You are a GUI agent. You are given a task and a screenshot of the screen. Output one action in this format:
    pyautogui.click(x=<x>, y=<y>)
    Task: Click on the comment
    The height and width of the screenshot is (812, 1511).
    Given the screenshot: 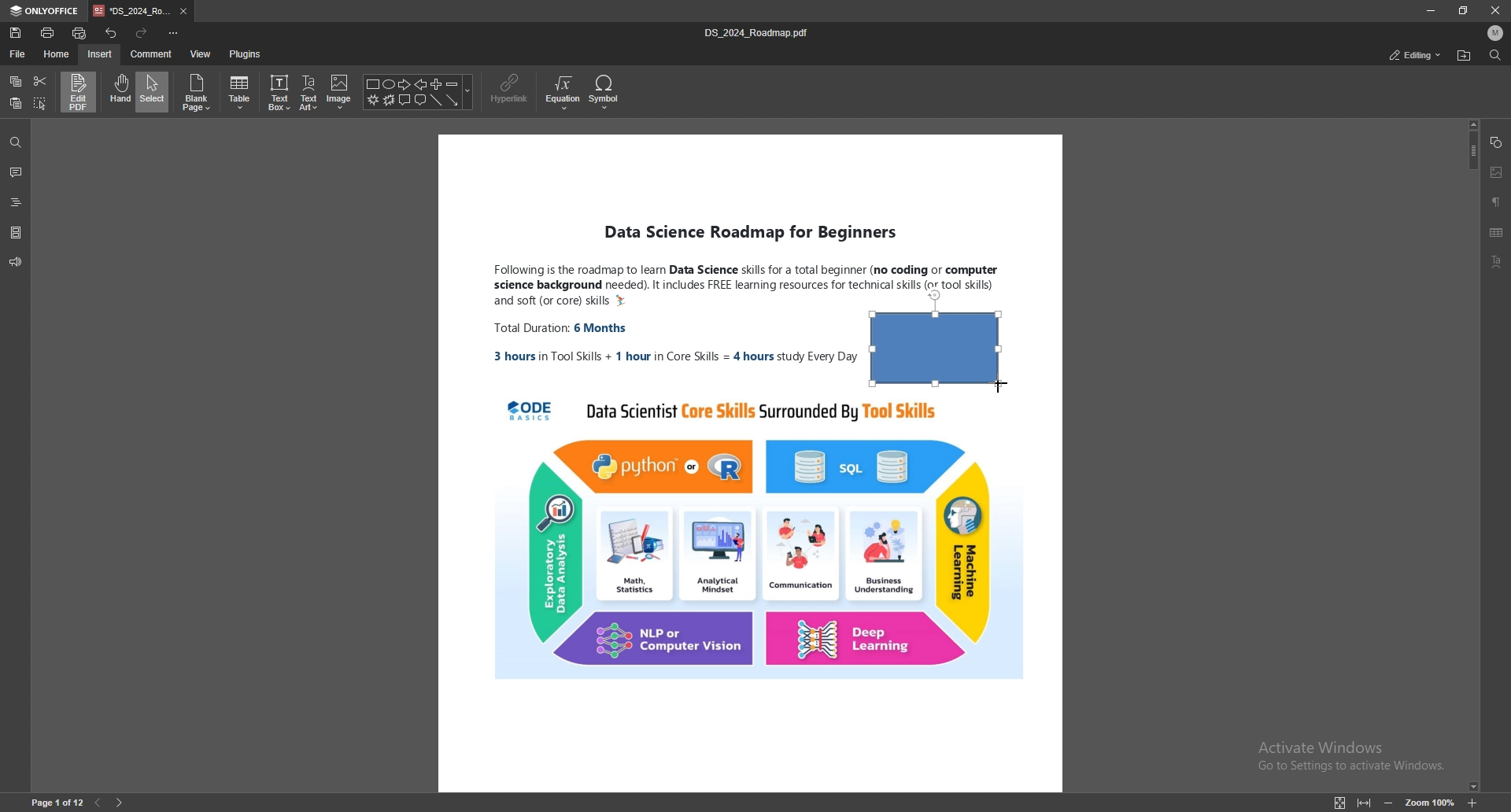 What is the action you would take?
    pyautogui.click(x=151, y=54)
    